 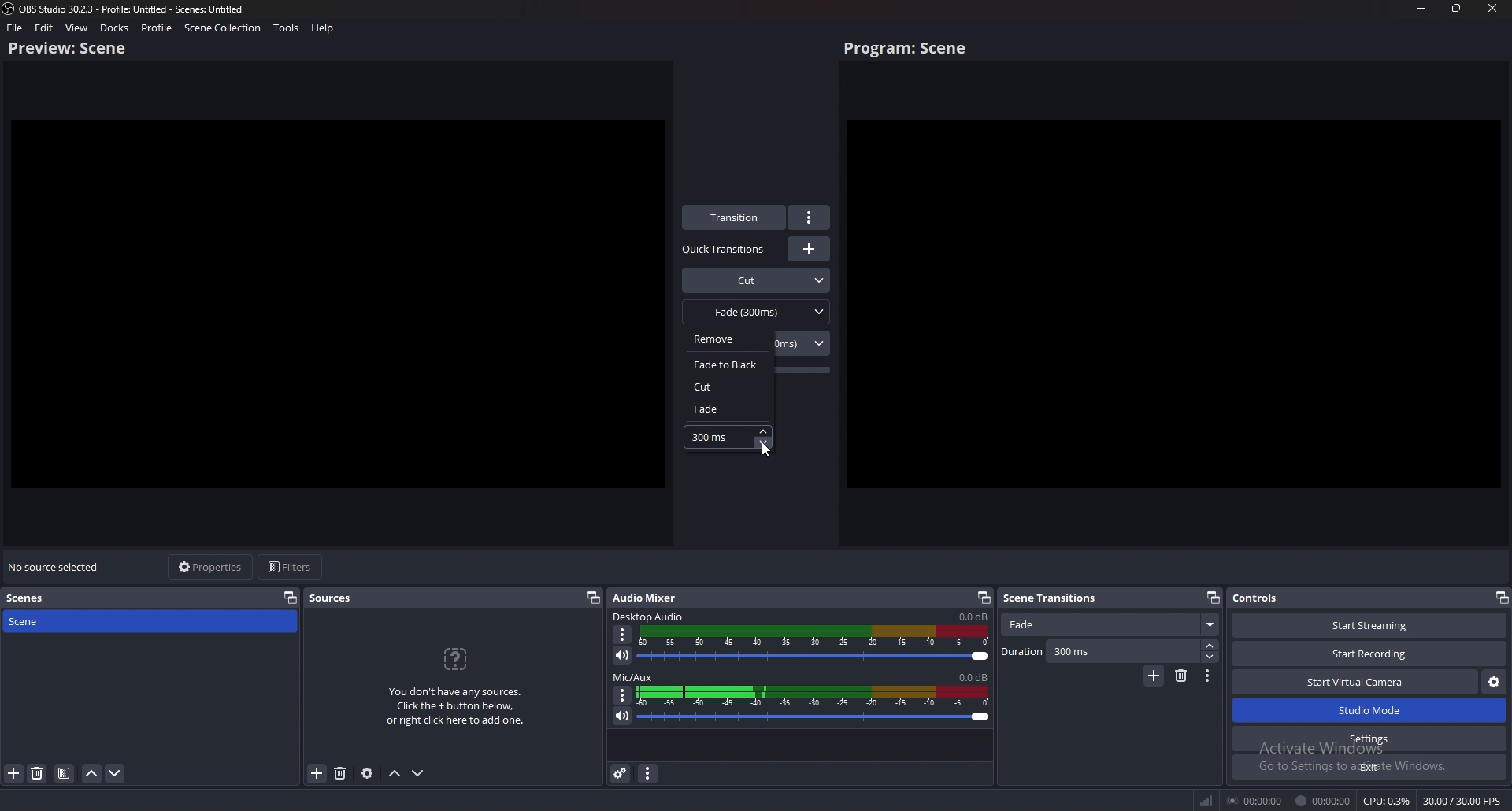 I want to click on network, so click(x=1204, y=801).